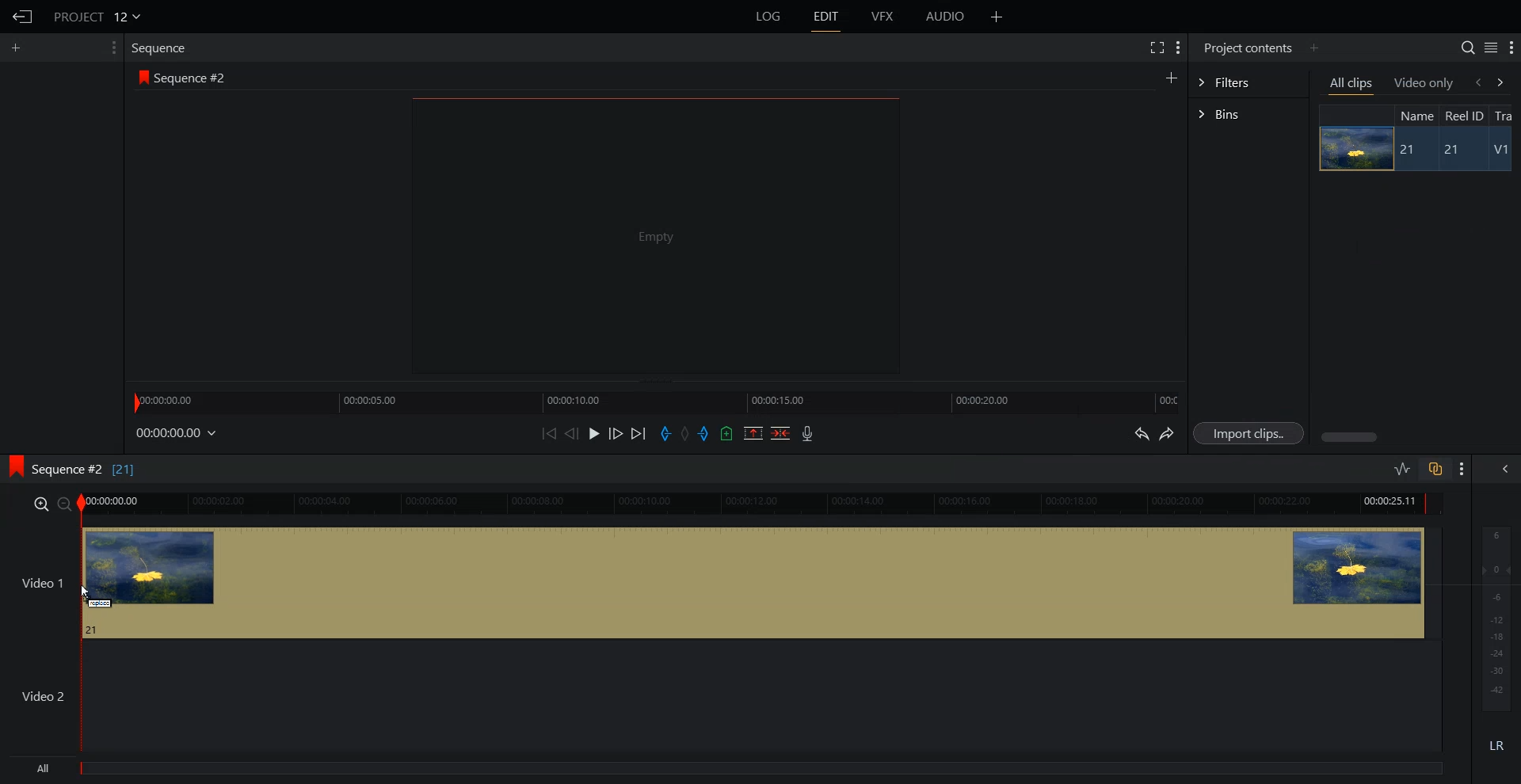 The height and width of the screenshot is (784, 1521). I want to click on 00:00:00.00, so click(177, 434).